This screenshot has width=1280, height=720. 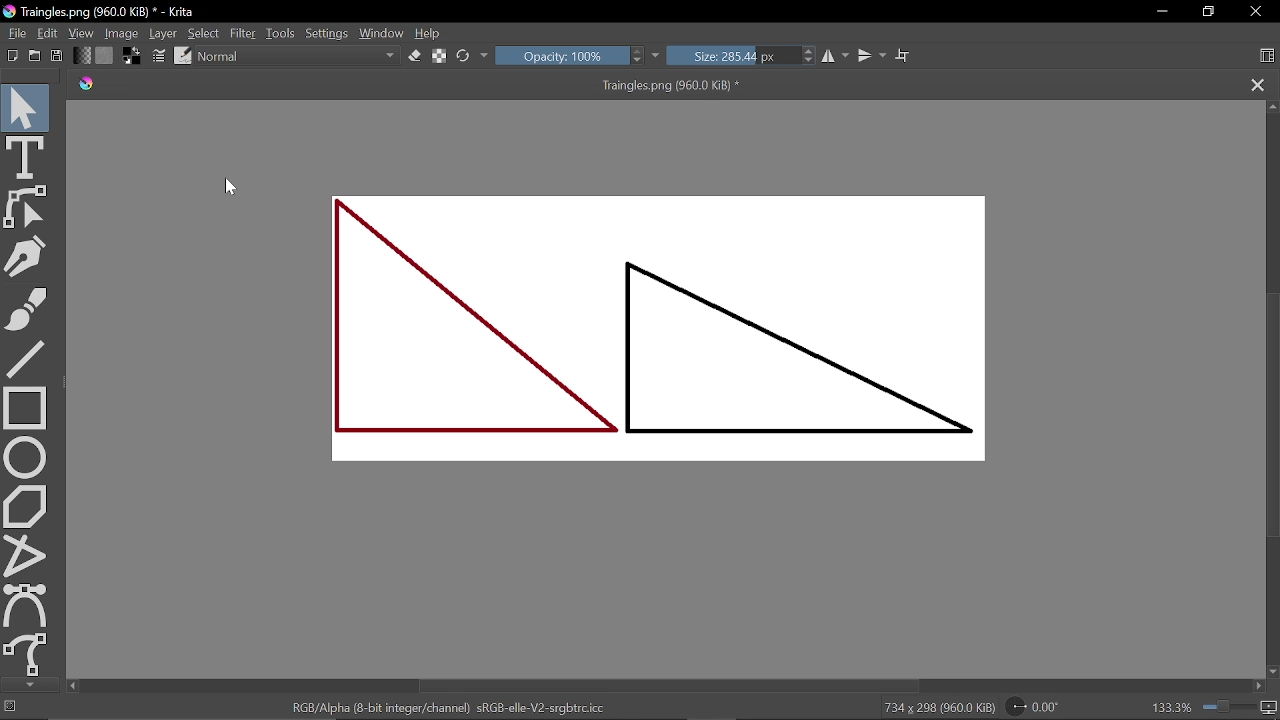 I want to click on Traingles.png (960.0 KiB) *, so click(x=427, y=87).